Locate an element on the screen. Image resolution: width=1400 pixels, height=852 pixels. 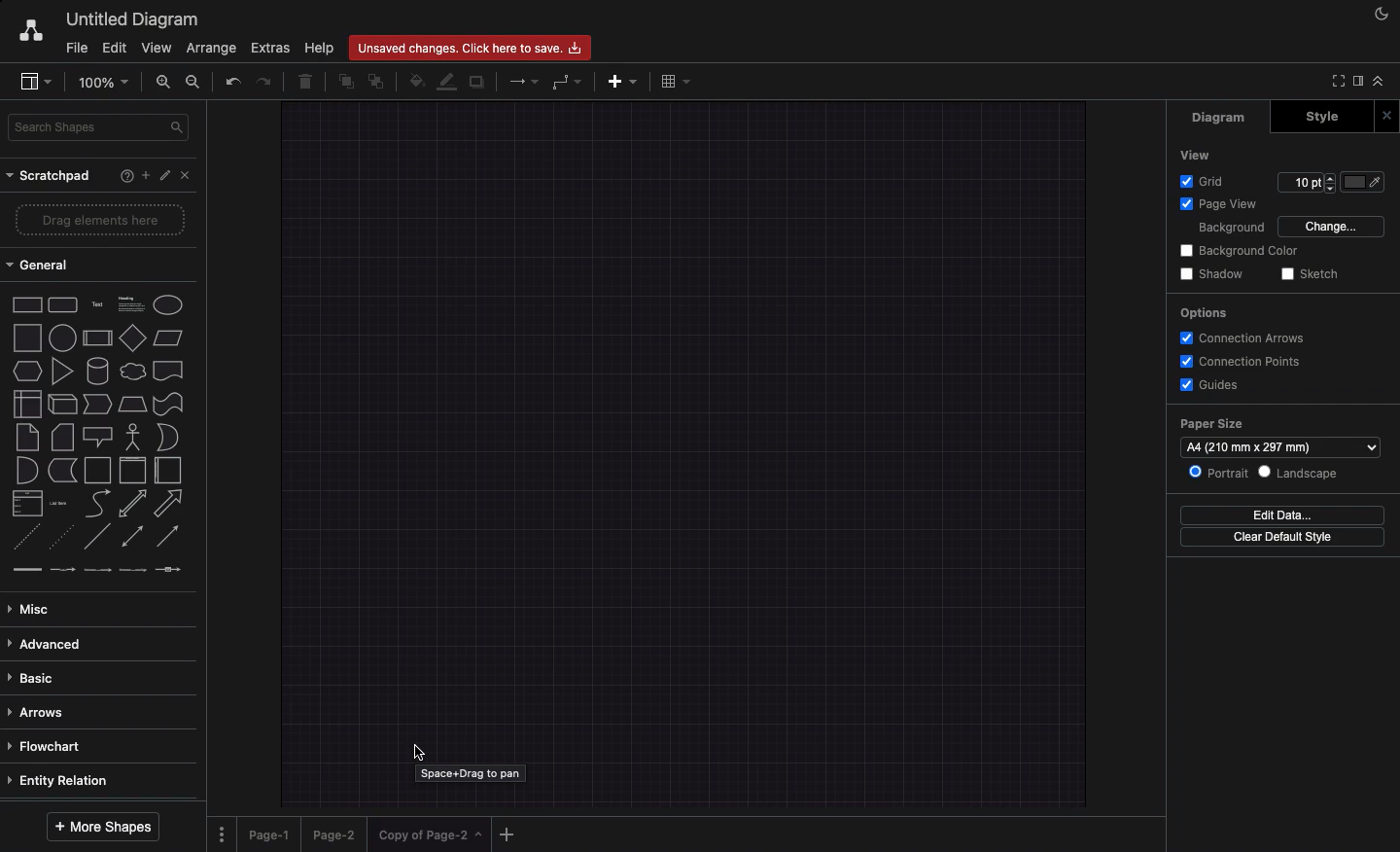
Draw.io logo is located at coordinates (31, 32).